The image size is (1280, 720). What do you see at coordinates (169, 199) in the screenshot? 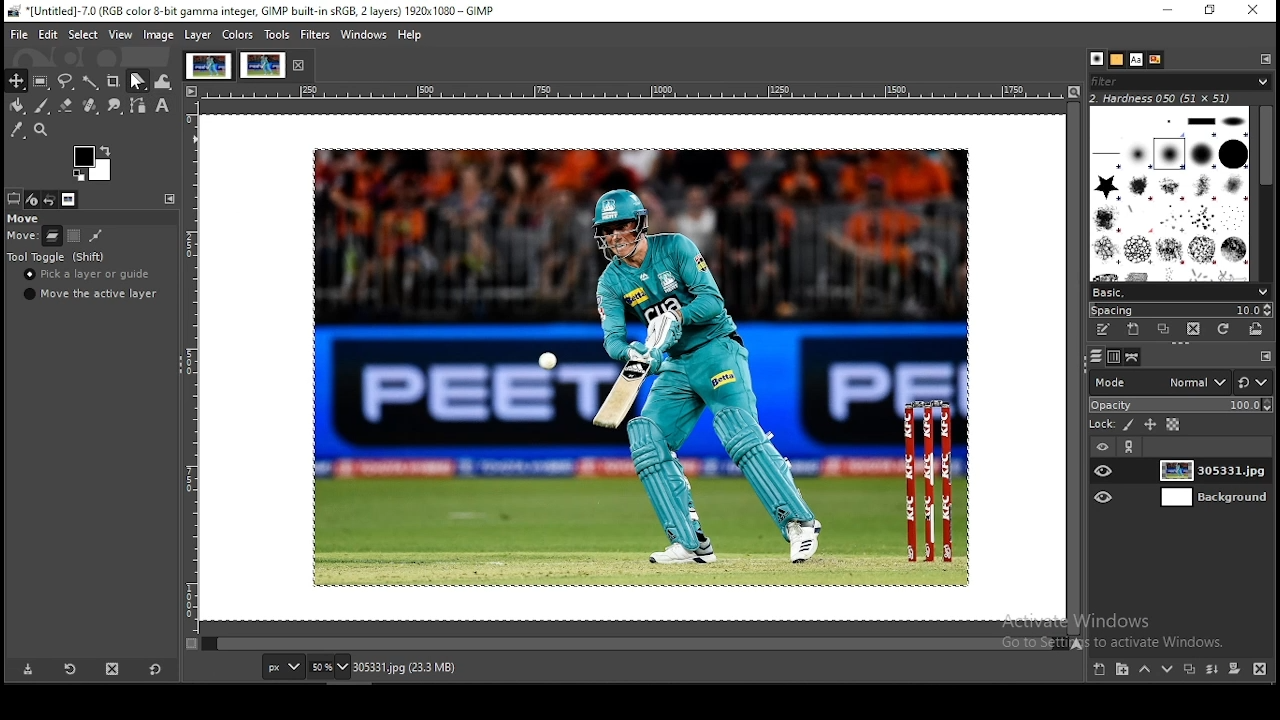
I see `configure this tab` at bounding box center [169, 199].